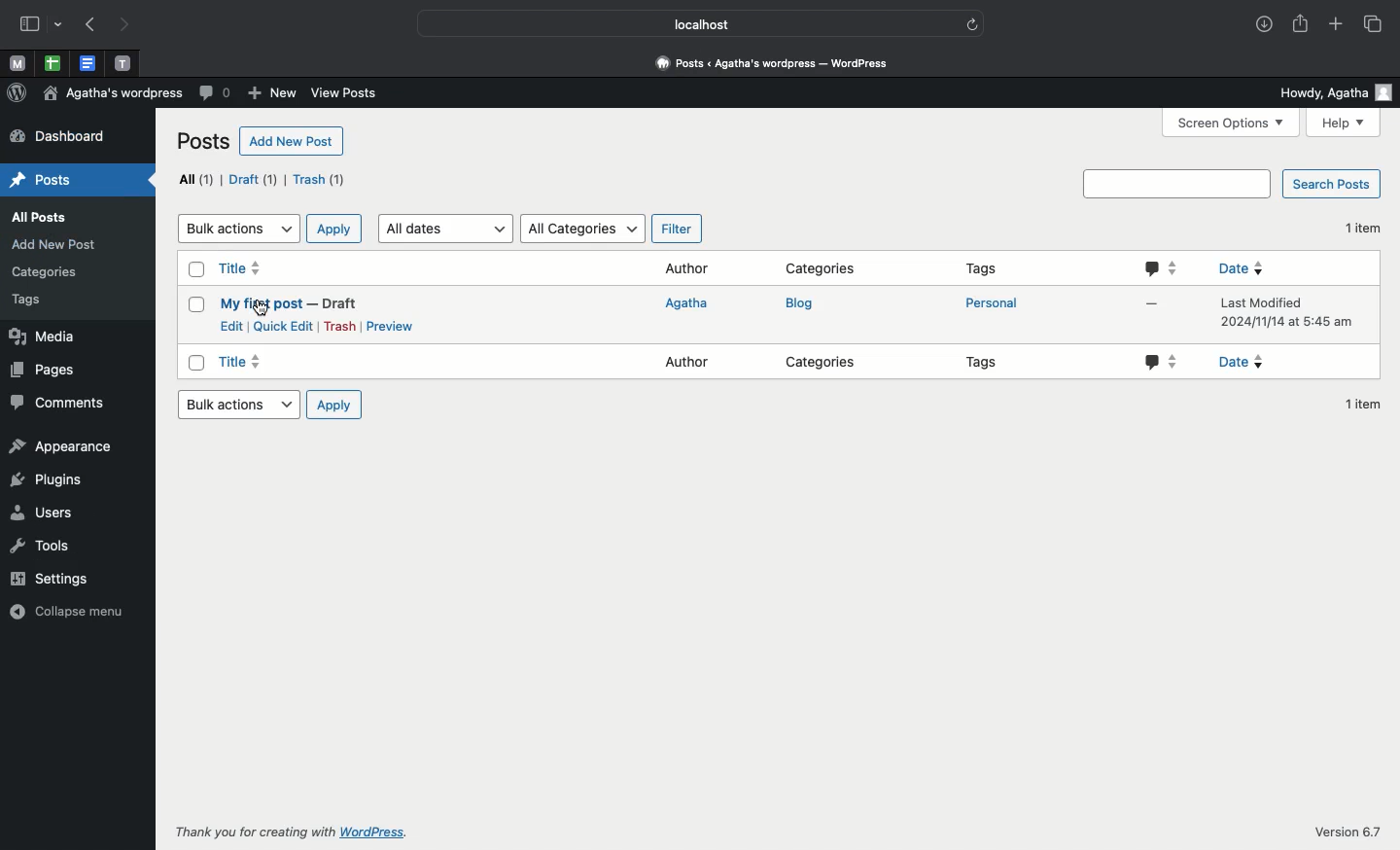 The image size is (1400, 850). What do you see at coordinates (686, 303) in the screenshot?
I see `Agatha` at bounding box center [686, 303].